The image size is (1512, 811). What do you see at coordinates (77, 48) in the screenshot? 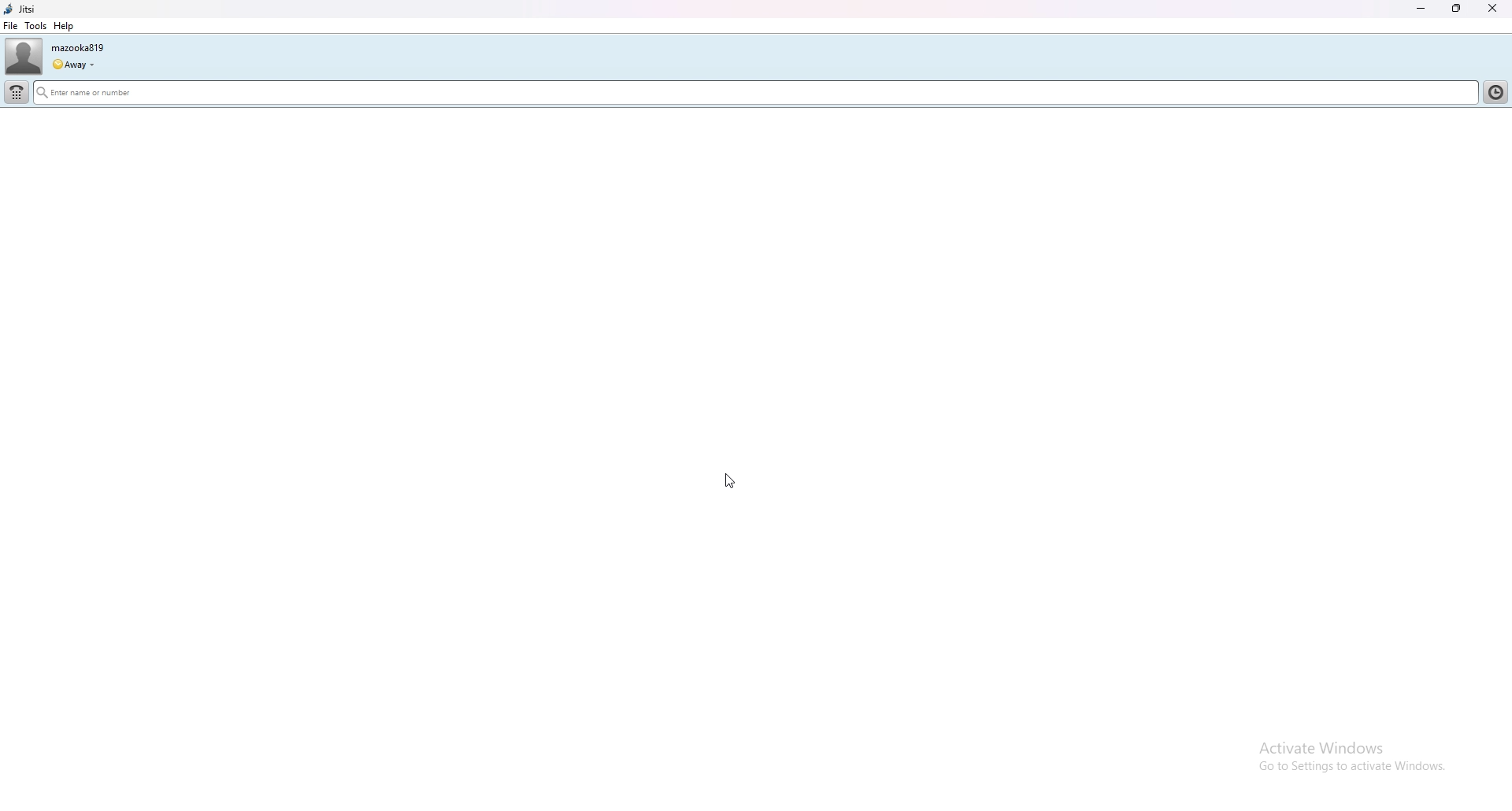
I see `username` at bounding box center [77, 48].